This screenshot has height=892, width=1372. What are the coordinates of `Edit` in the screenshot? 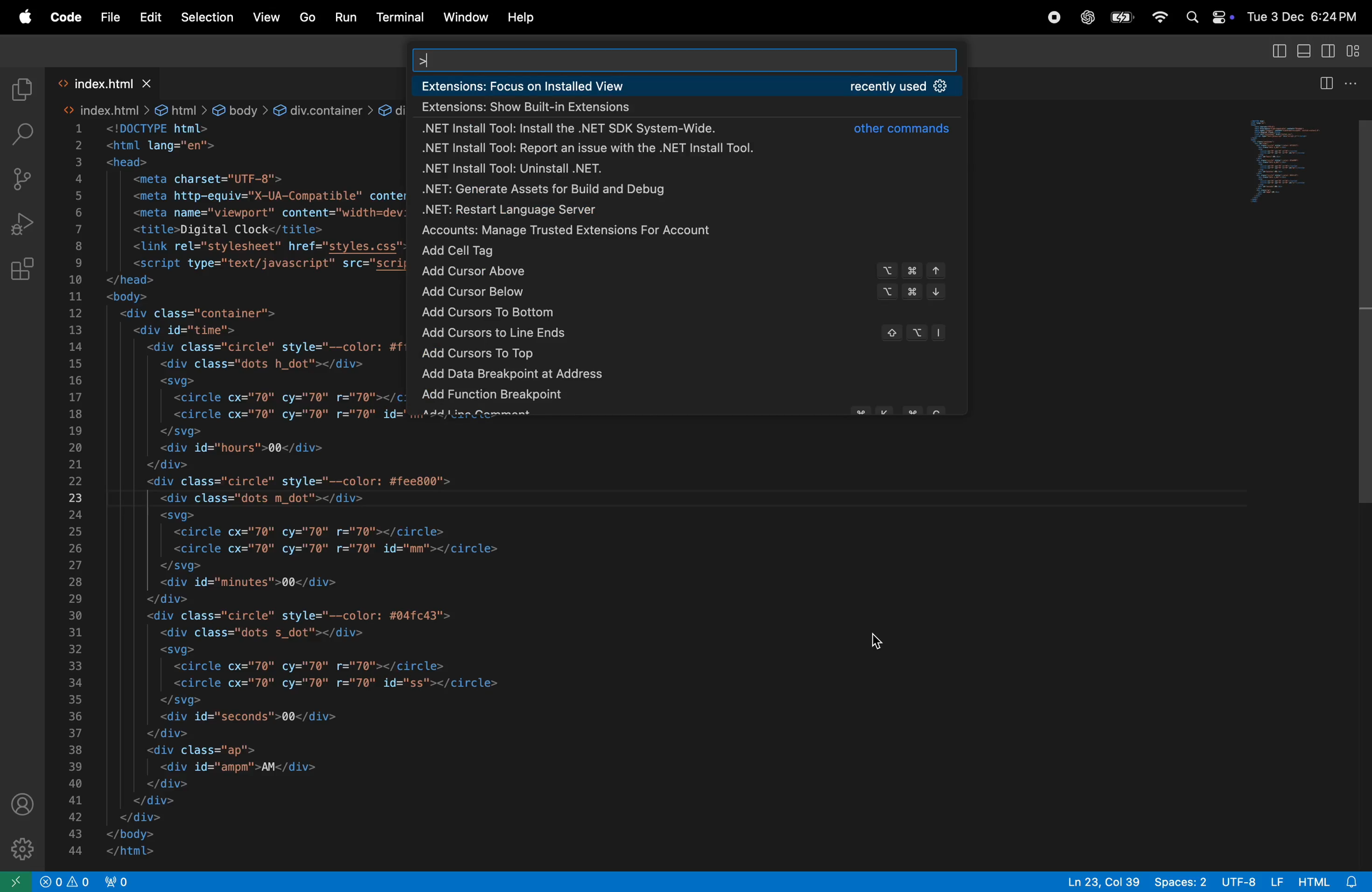 It's located at (147, 16).